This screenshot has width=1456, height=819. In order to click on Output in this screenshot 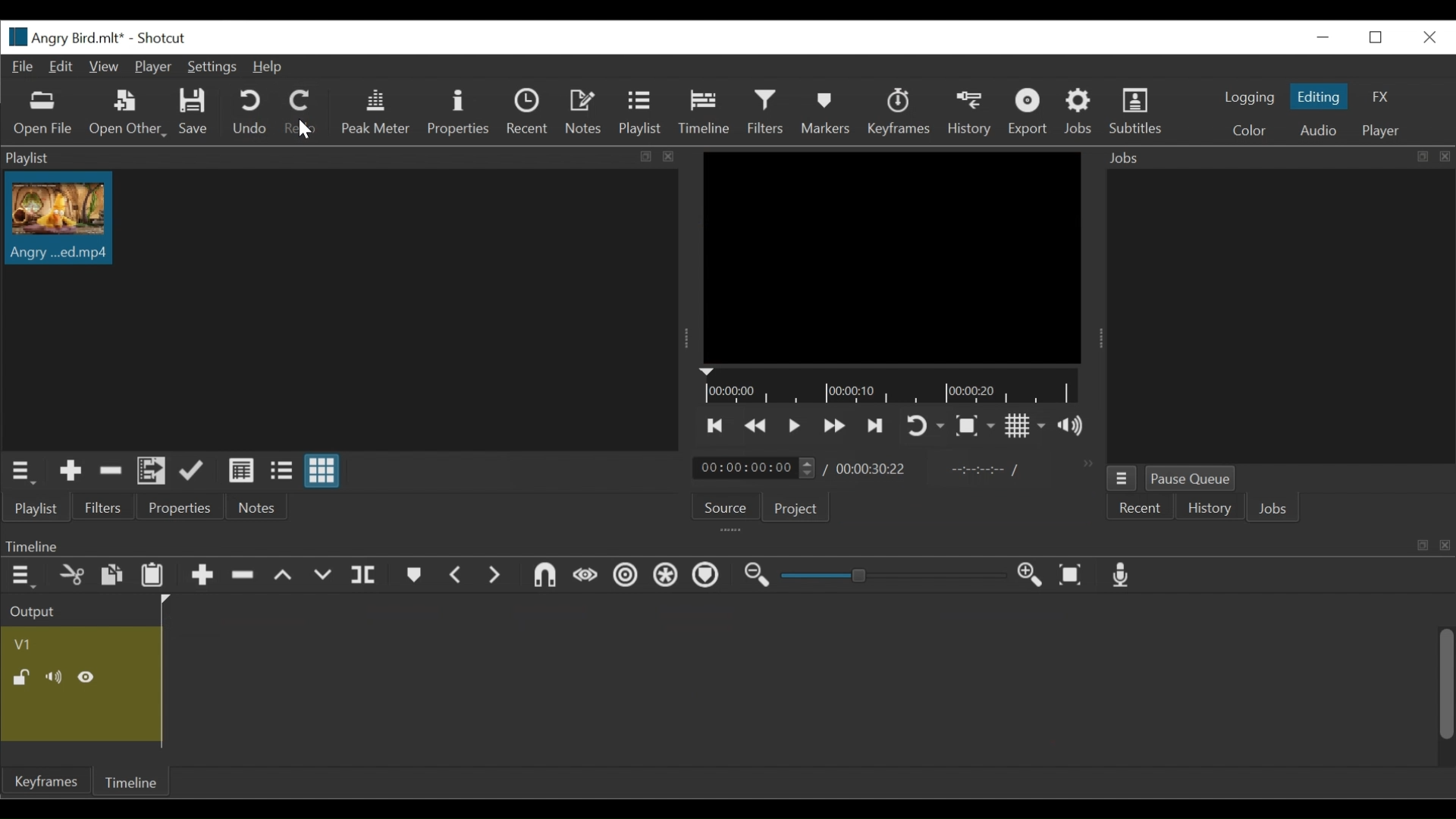, I will do `click(36, 612)`.